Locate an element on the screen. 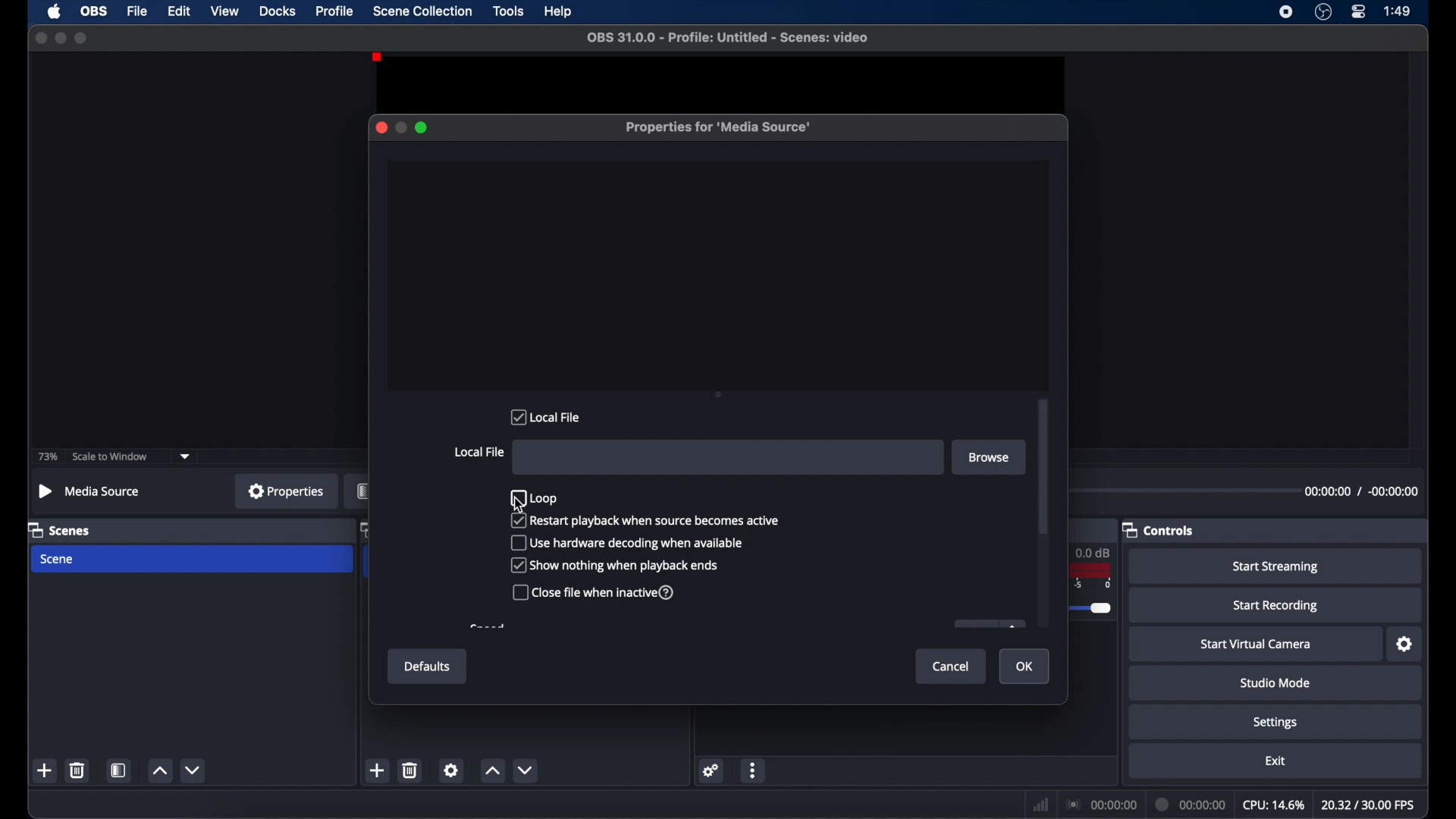  maximize is located at coordinates (423, 127).